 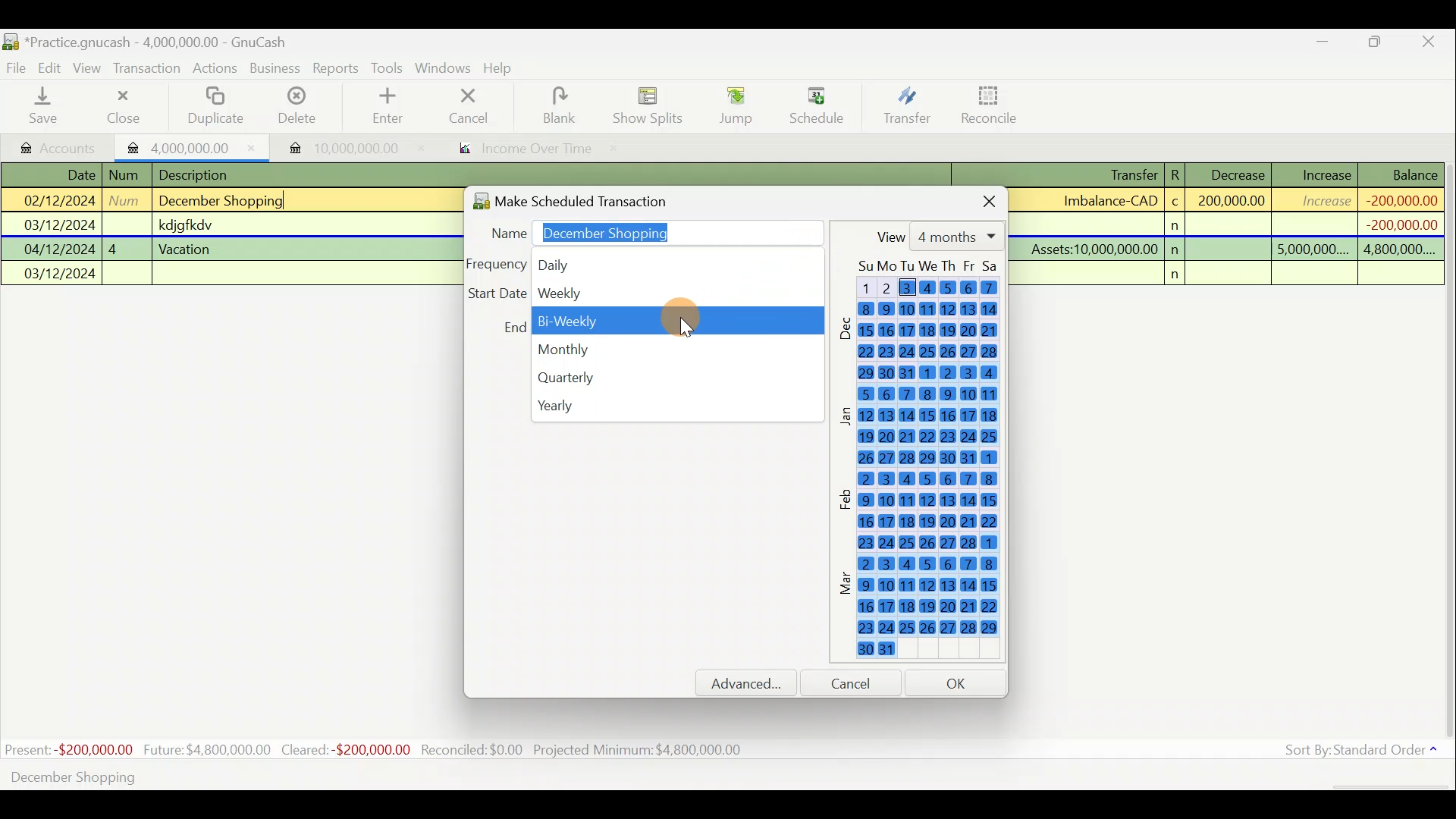 I want to click on Reconcile, so click(x=995, y=104).